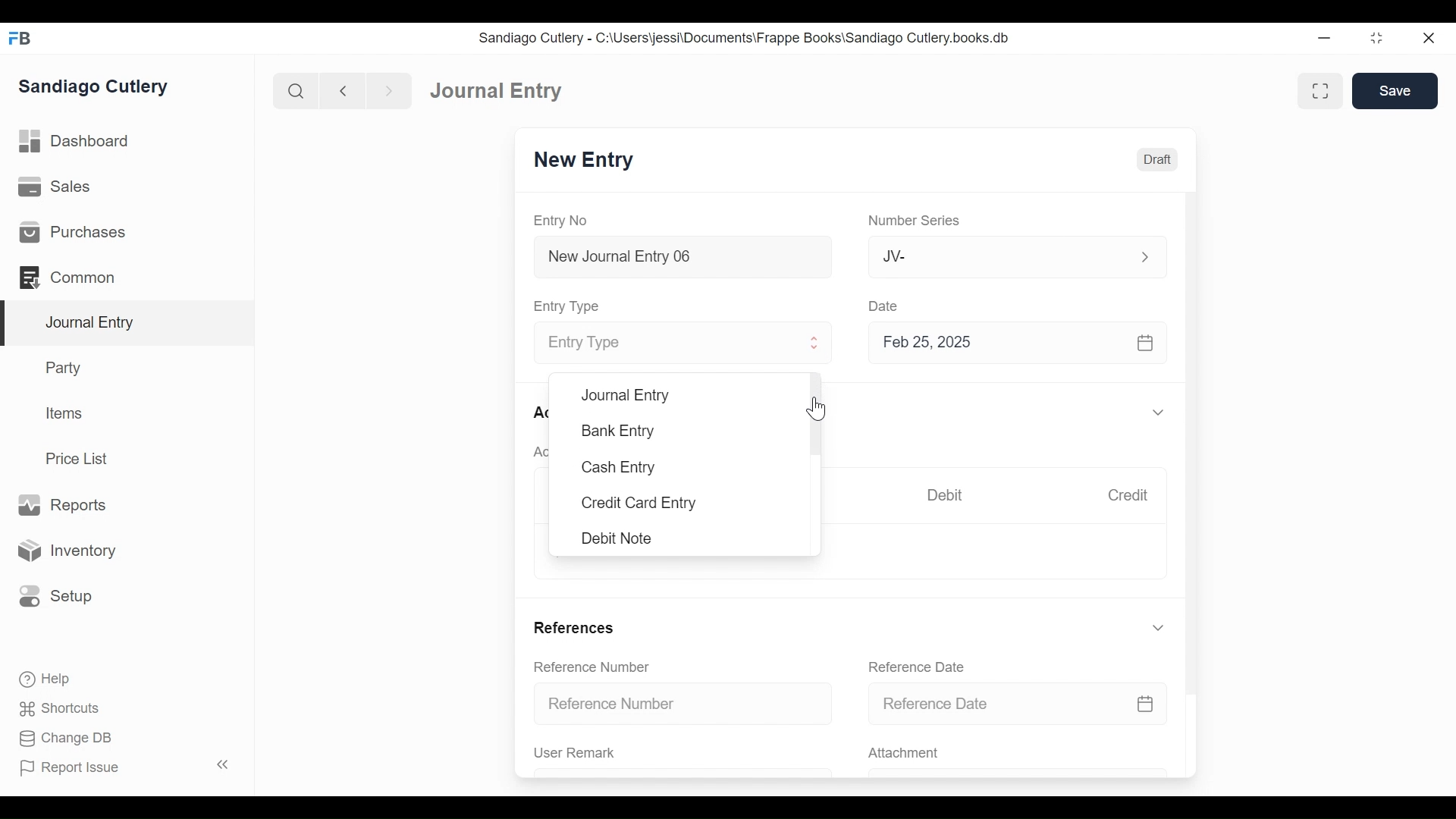  What do you see at coordinates (575, 752) in the screenshot?
I see `User Remark` at bounding box center [575, 752].